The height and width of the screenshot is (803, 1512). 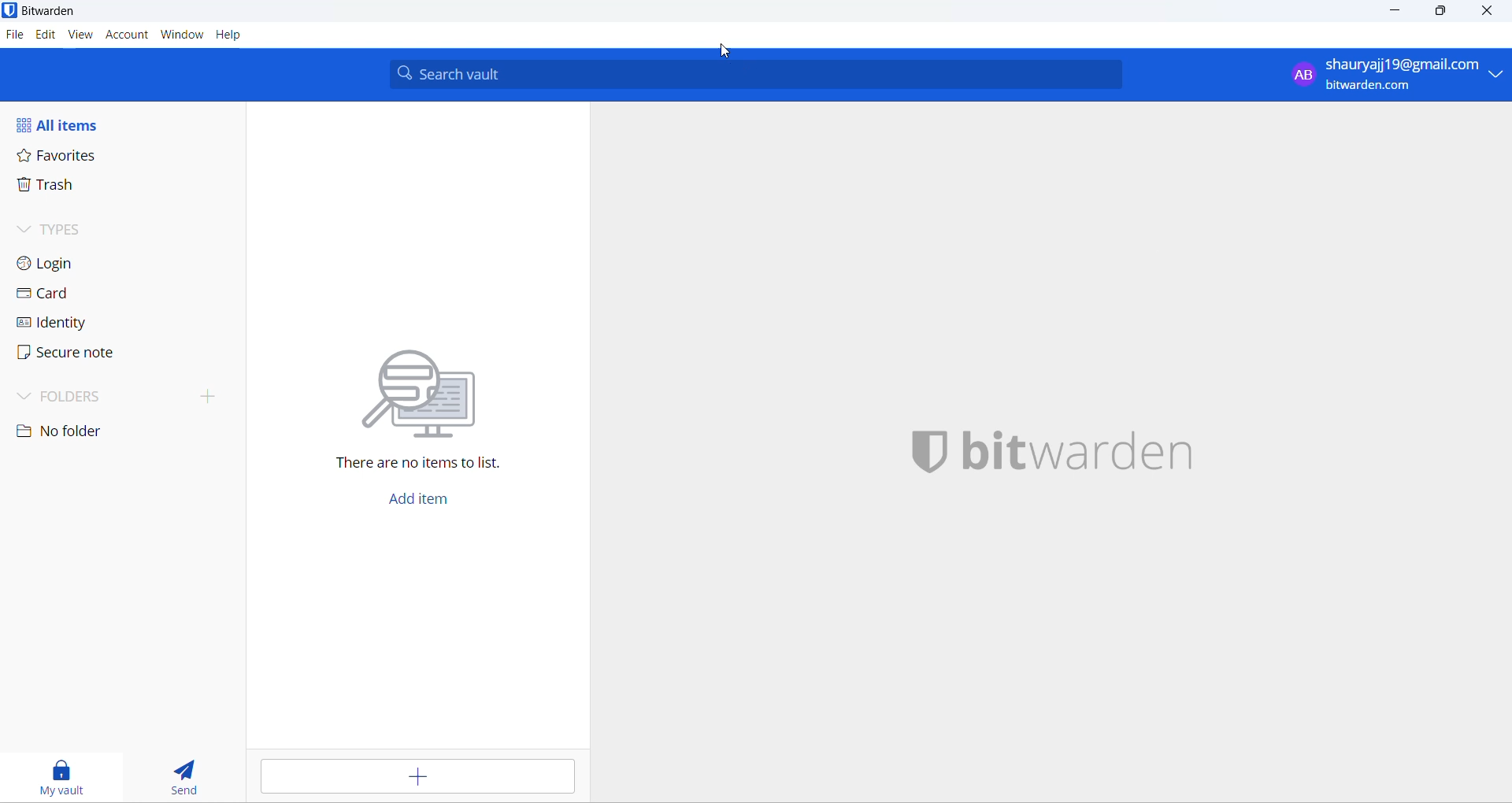 What do you see at coordinates (69, 157) in the screenshot?
I see `favorites` at bounding box center [69, 157].